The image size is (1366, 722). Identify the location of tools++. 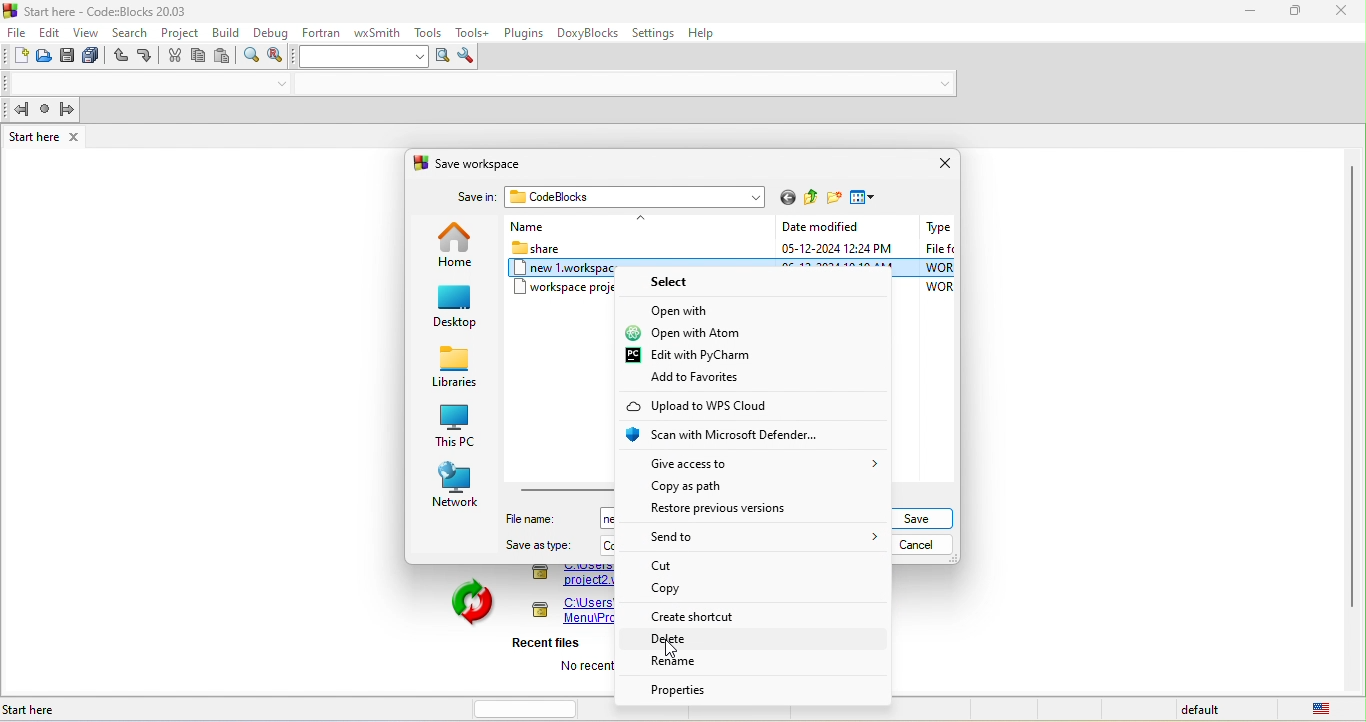
(474, 32).